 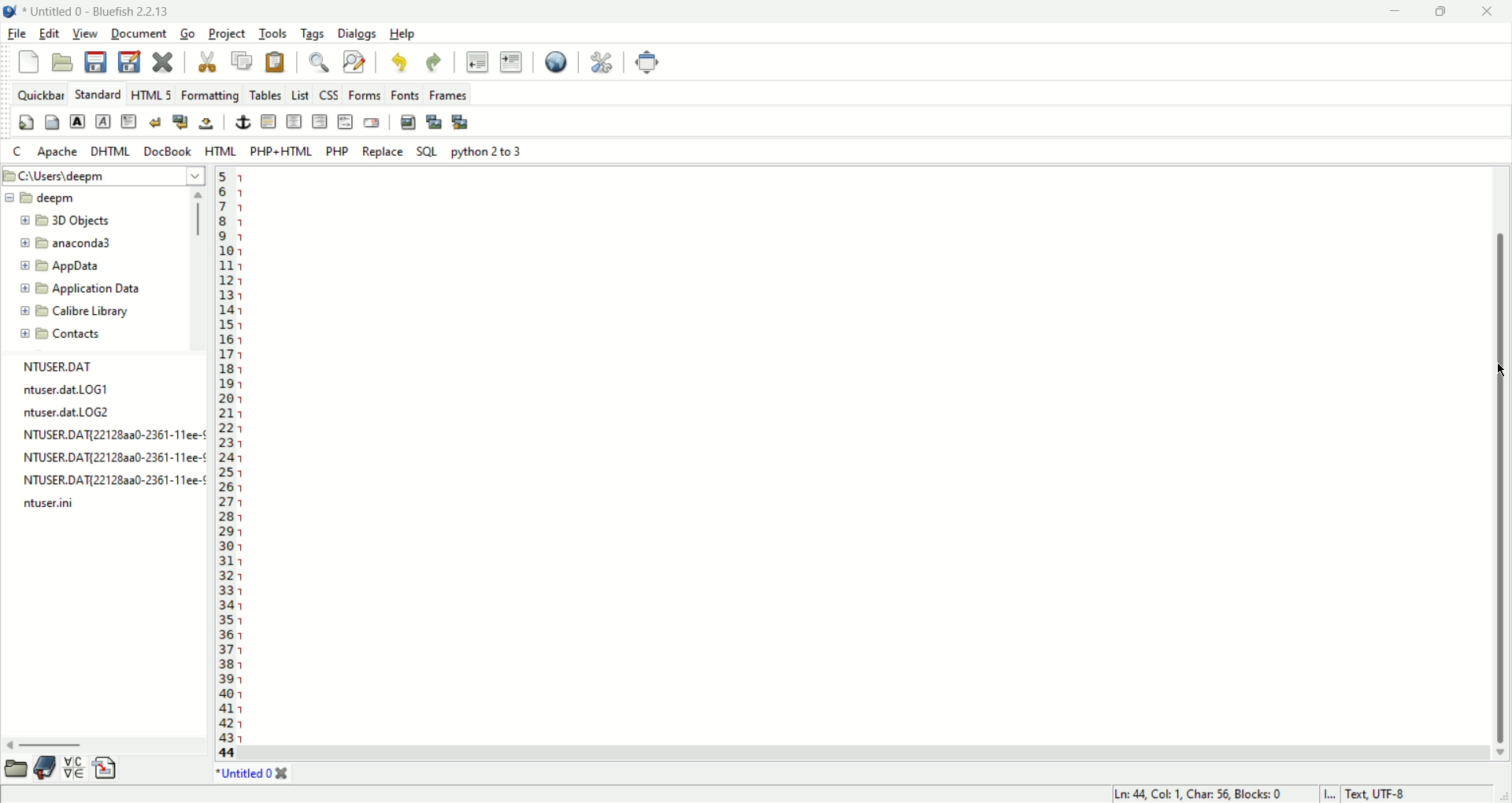 What do you see at coordinates (461, 121) in the screenshot?
I see `multi thumbnail` at bounding box center [461, 121].